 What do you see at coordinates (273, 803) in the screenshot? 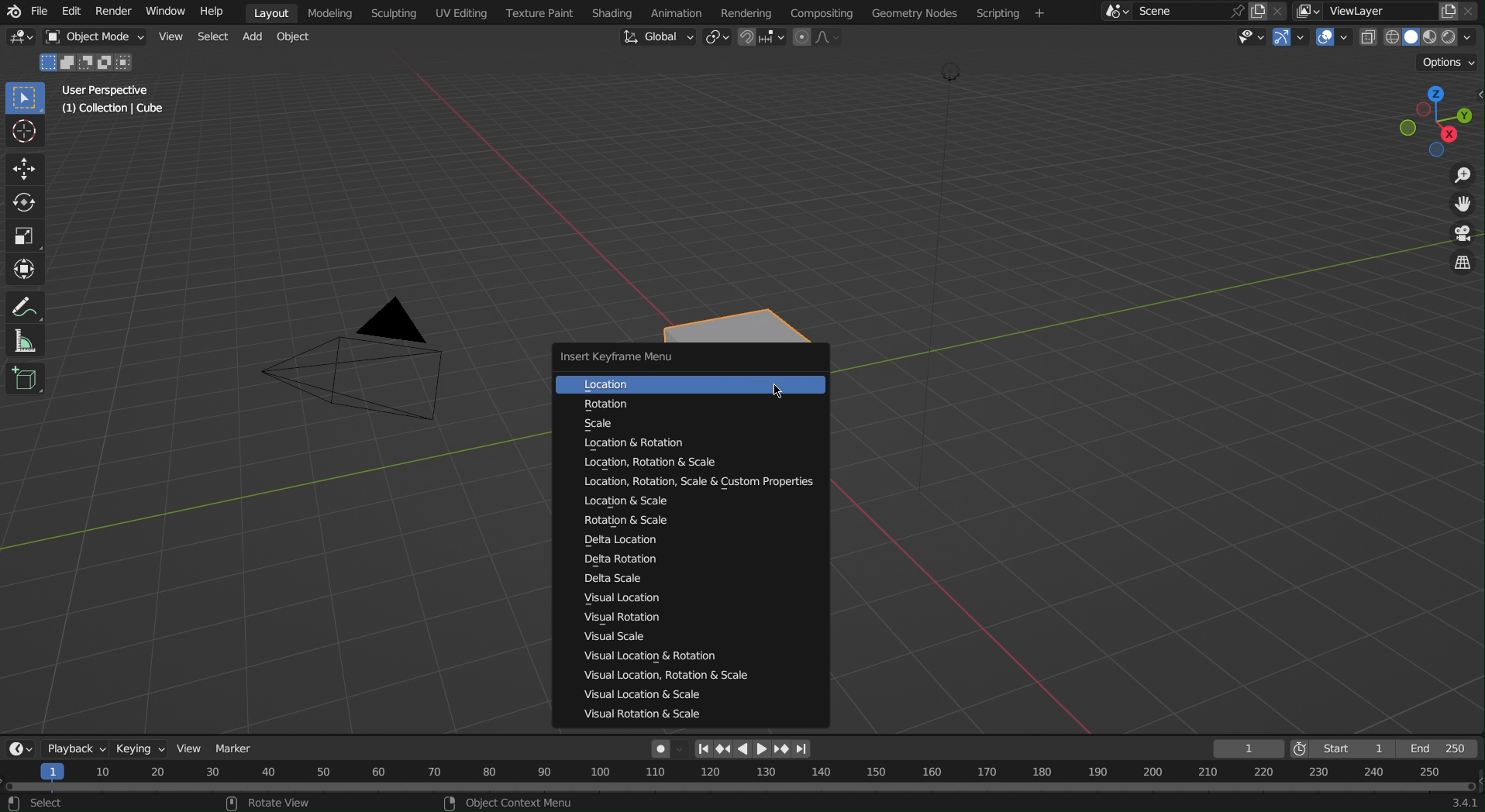
I see `rotate view` at bounding box center [273, 803].